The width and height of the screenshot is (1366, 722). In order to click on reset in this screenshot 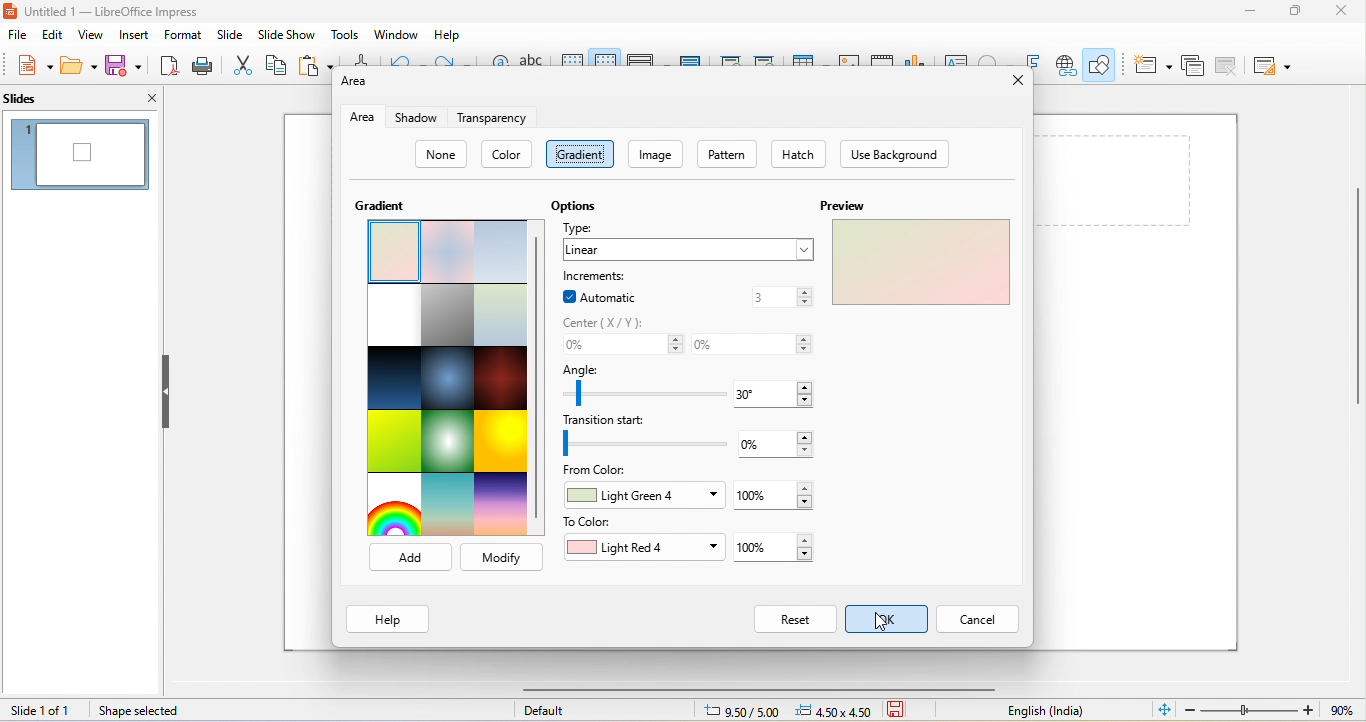, I will do `click(795, 619)`.